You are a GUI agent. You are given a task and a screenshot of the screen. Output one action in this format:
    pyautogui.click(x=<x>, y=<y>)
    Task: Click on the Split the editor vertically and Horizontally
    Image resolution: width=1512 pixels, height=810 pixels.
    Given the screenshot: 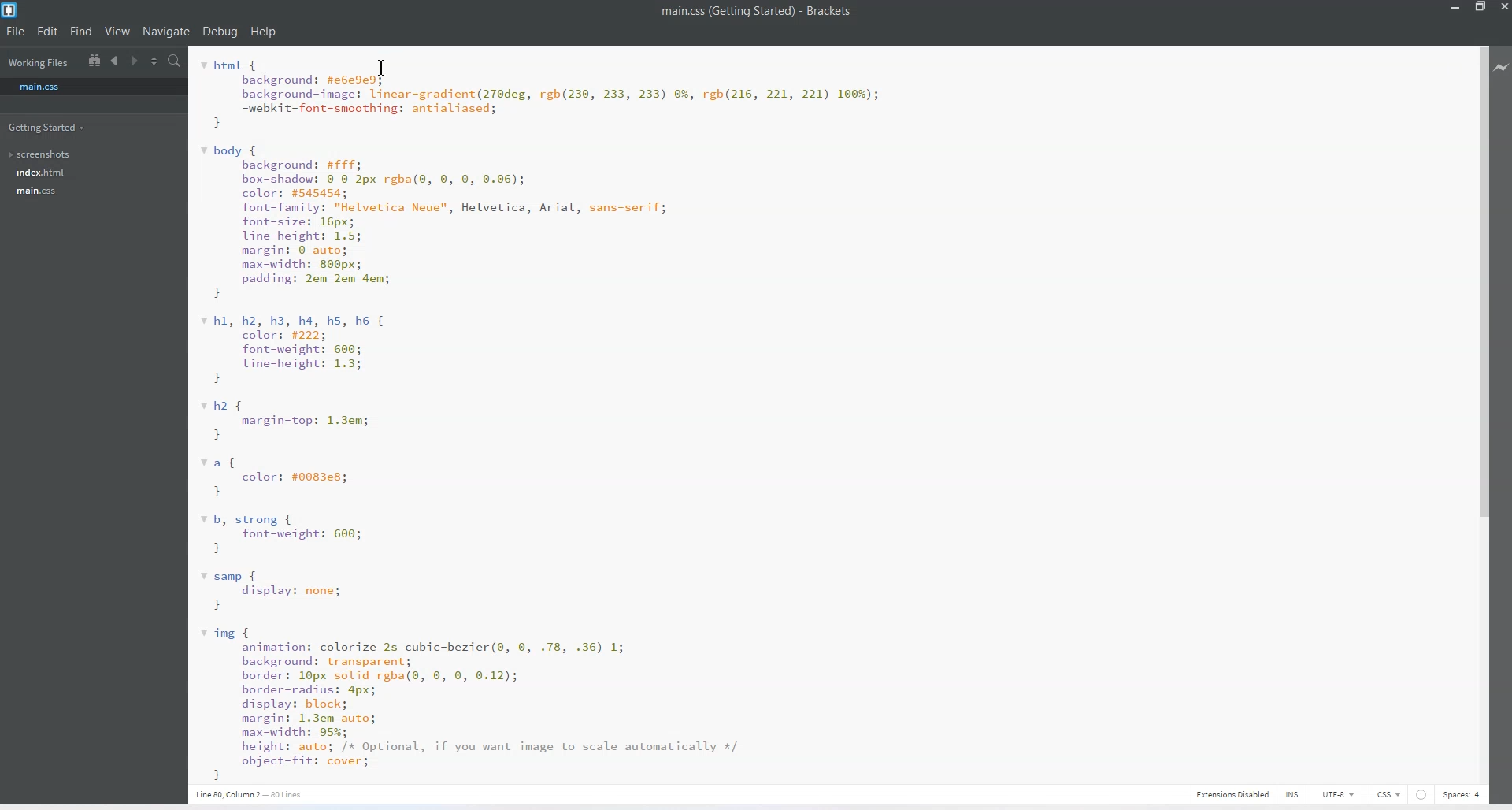 What is the action you would take?
    pyautogui.click(x=156, y=61)
    